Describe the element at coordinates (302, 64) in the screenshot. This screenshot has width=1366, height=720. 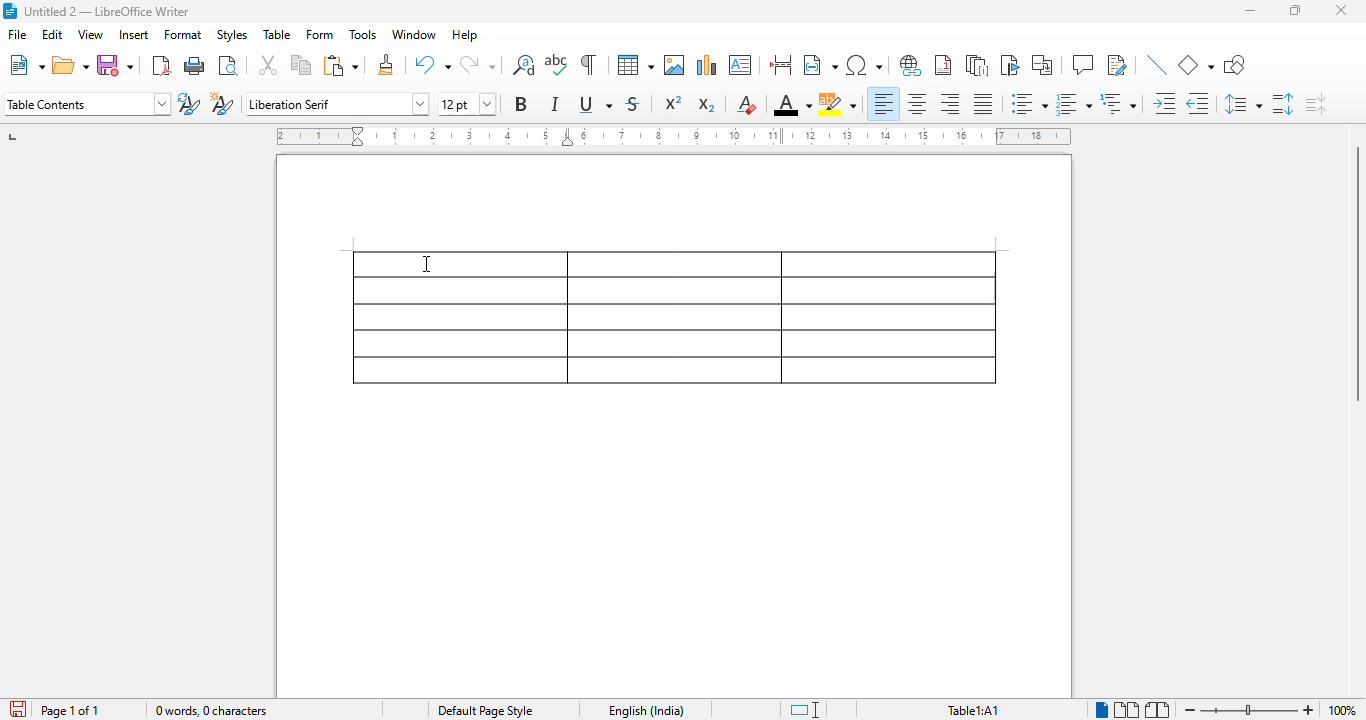
I see `copy` at that location.